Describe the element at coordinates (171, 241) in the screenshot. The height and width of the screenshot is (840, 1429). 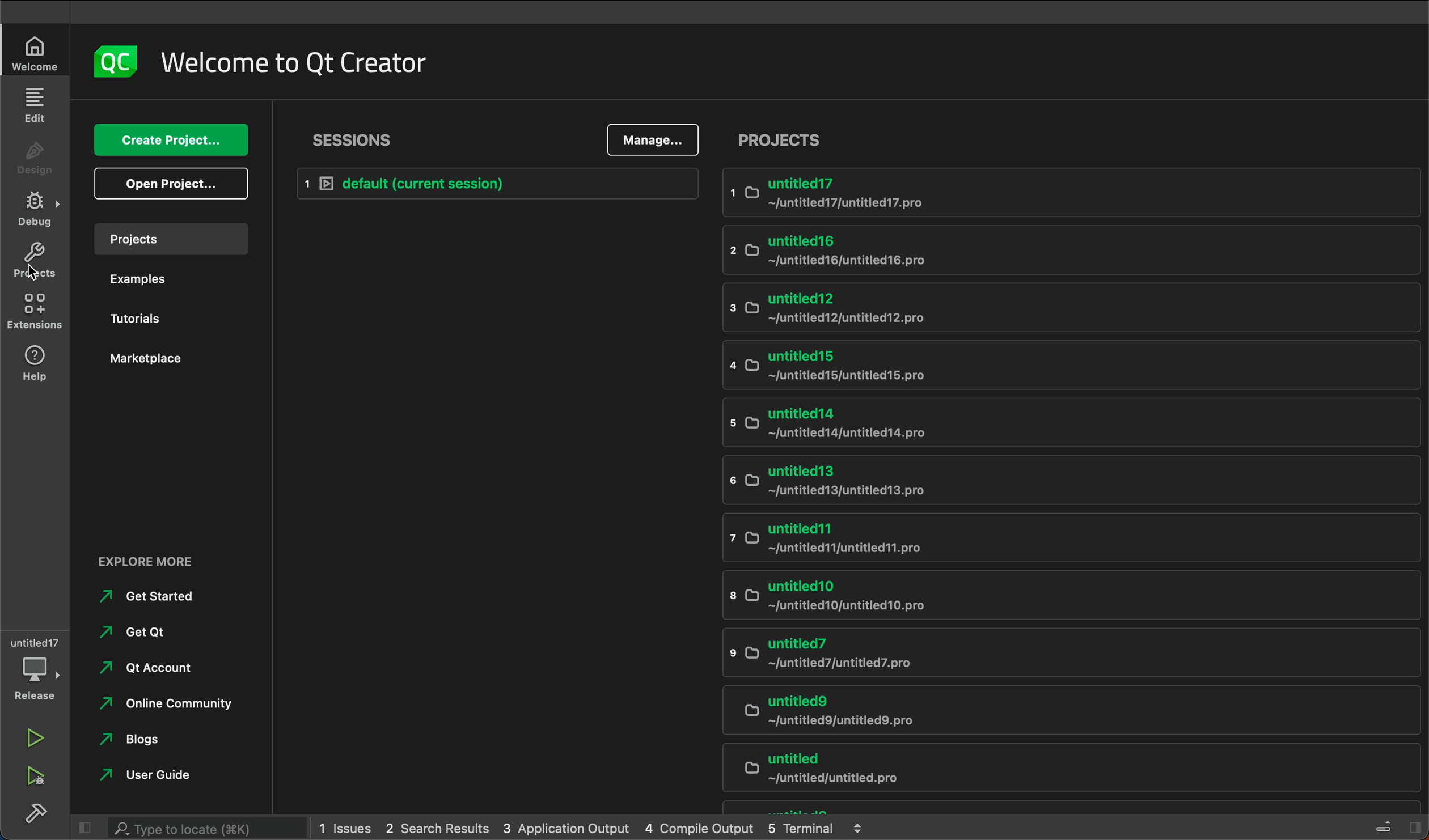
I see `projects` at that location.